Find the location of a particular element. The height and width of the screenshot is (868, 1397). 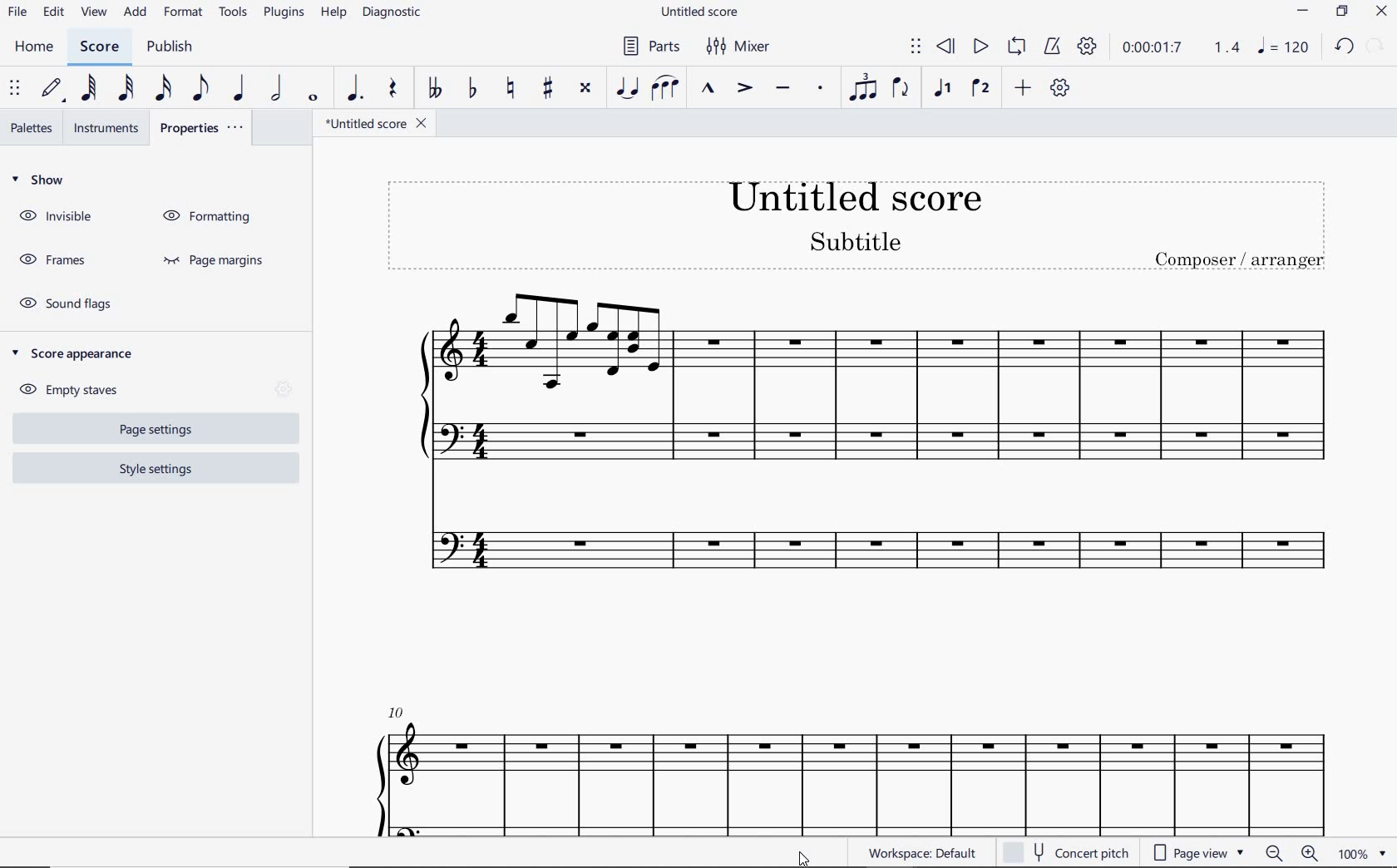

PAGE MARGINS is located at coordinates (216, 261).